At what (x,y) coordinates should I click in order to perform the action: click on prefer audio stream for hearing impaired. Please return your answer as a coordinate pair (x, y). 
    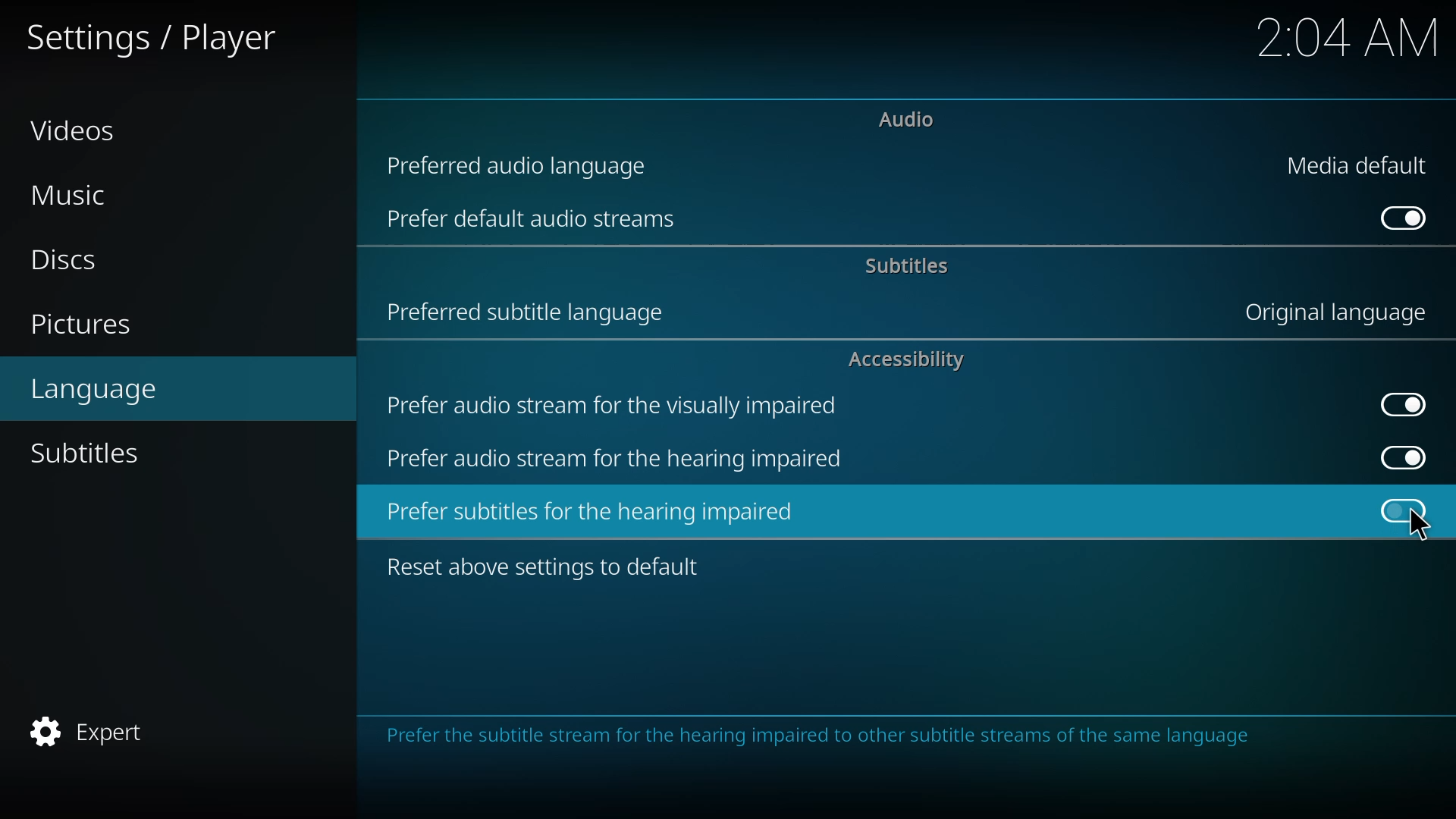
    Looking at the image, I should click on (620, 459).